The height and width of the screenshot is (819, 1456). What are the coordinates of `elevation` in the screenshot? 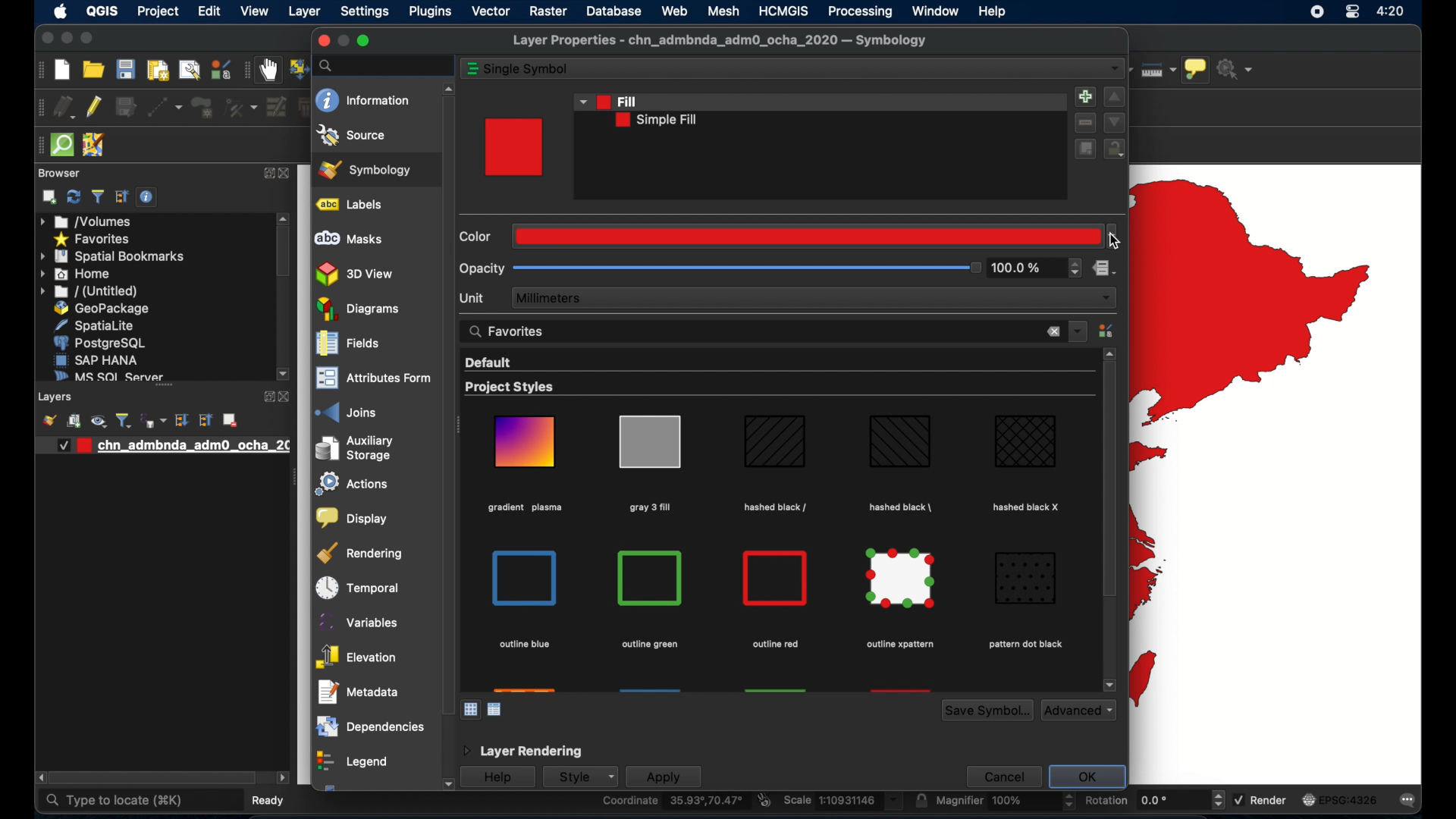 It's located at (356, 657).